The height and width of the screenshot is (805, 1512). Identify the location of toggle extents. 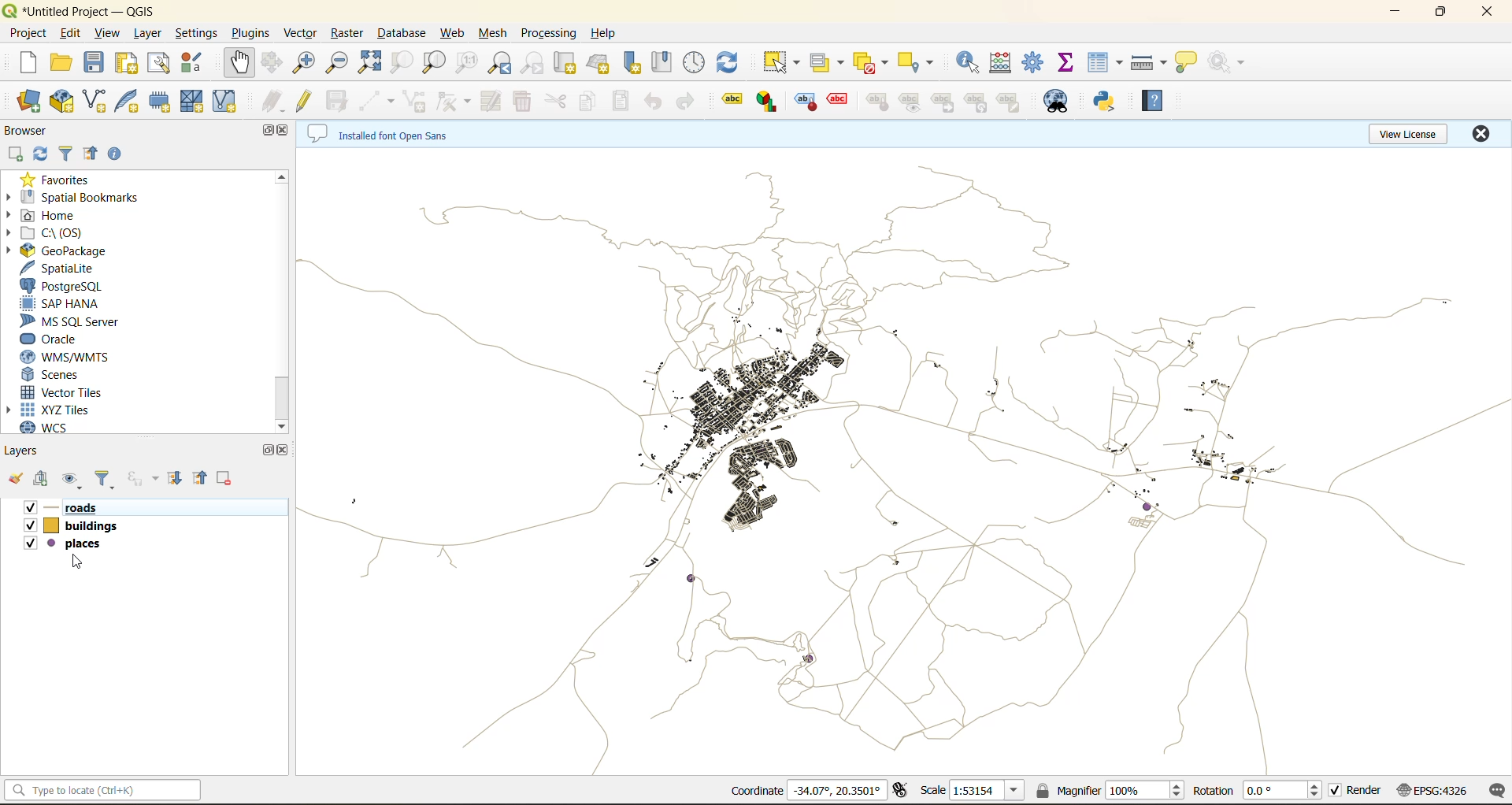
(899, 792).